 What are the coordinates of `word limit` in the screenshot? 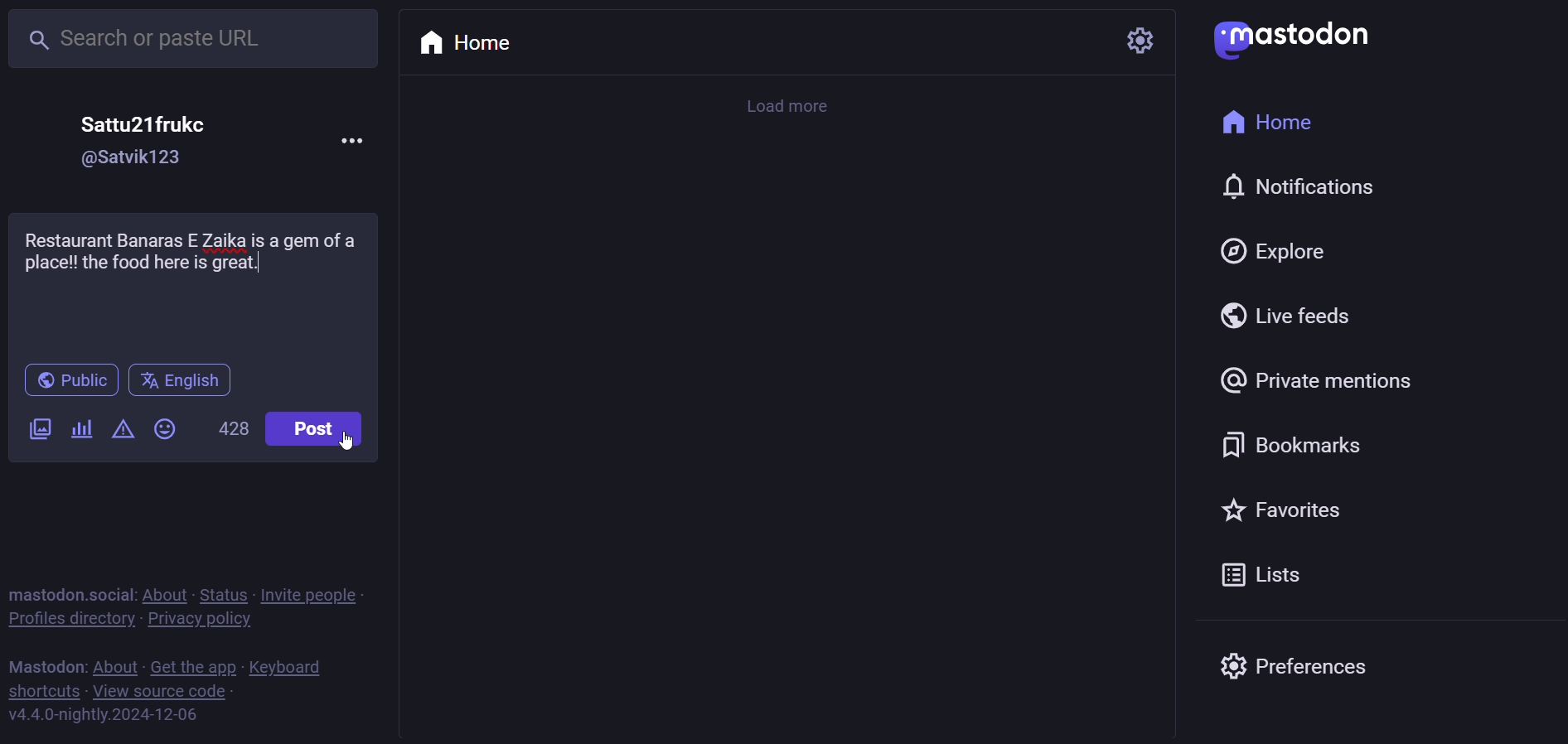 It's located at (231, 431).